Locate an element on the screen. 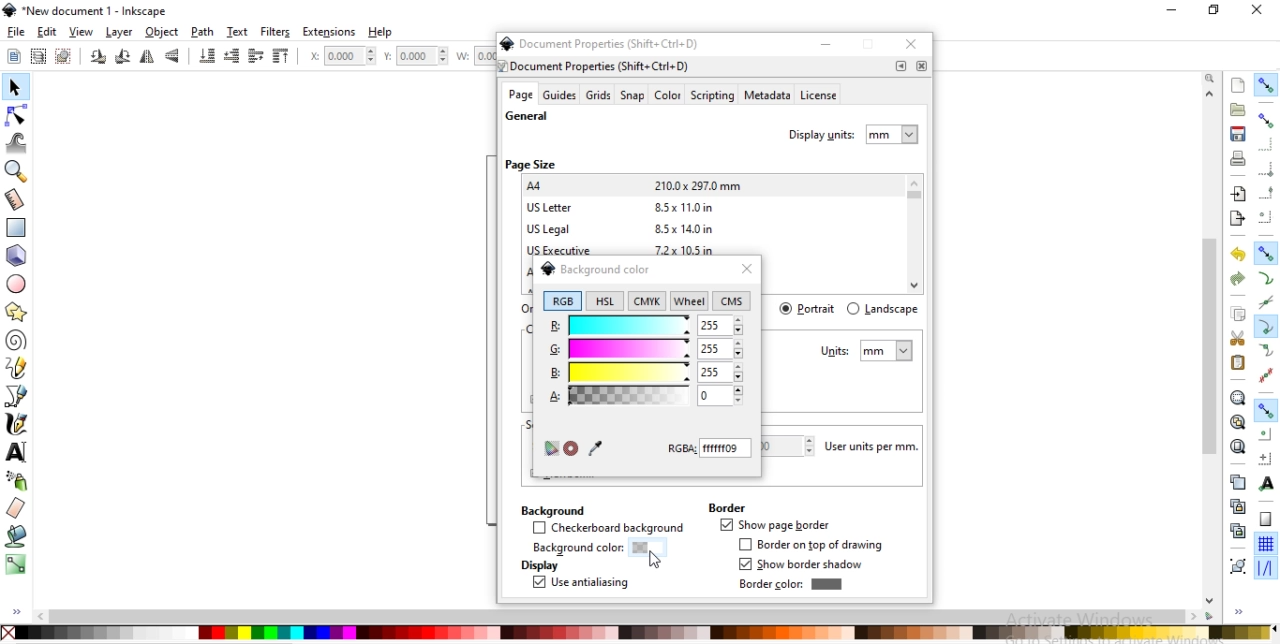  raise selection to top is located at coordinates (281, 57).